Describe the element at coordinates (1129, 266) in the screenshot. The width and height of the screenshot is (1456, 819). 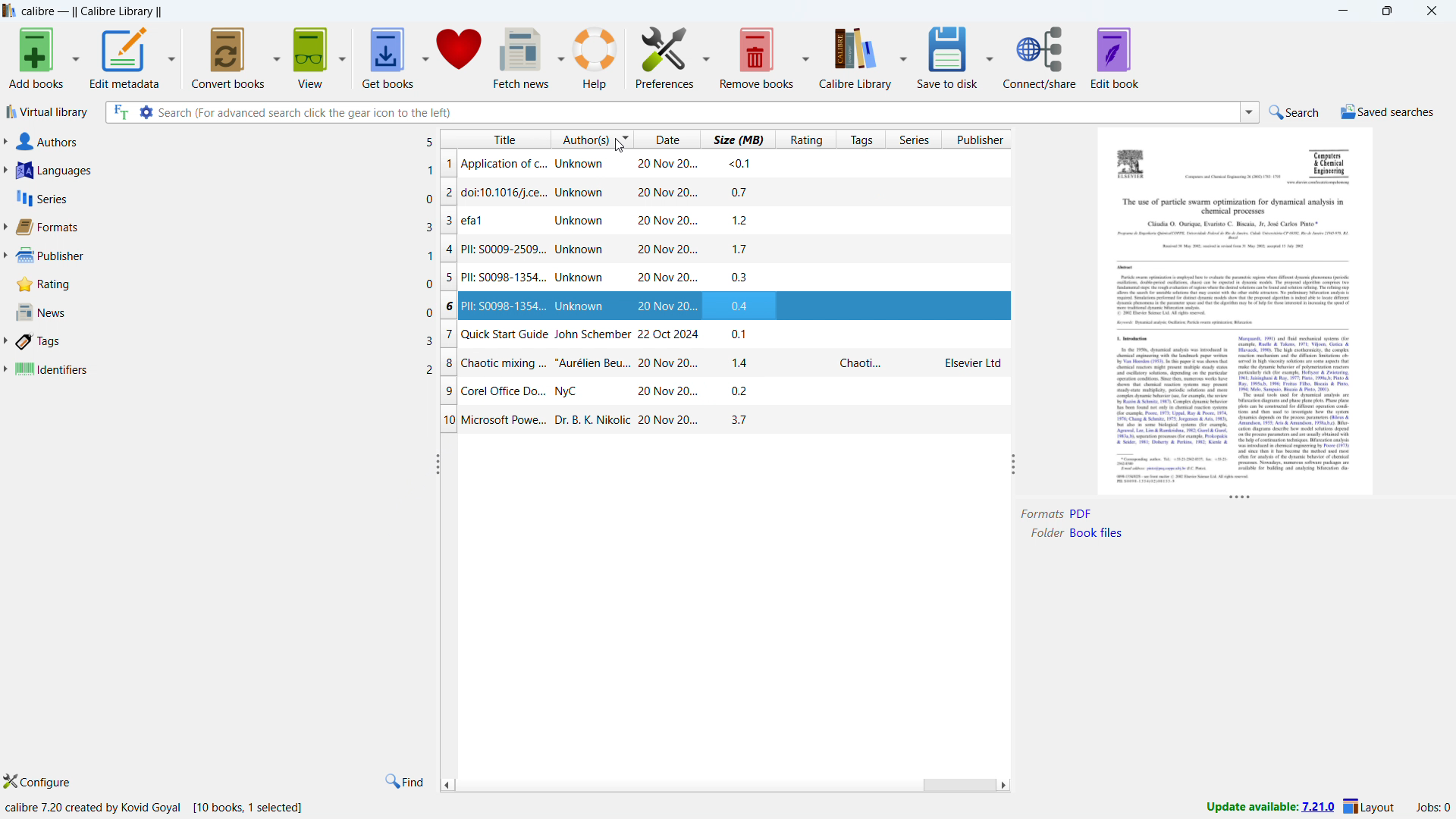
I see `` at that location.